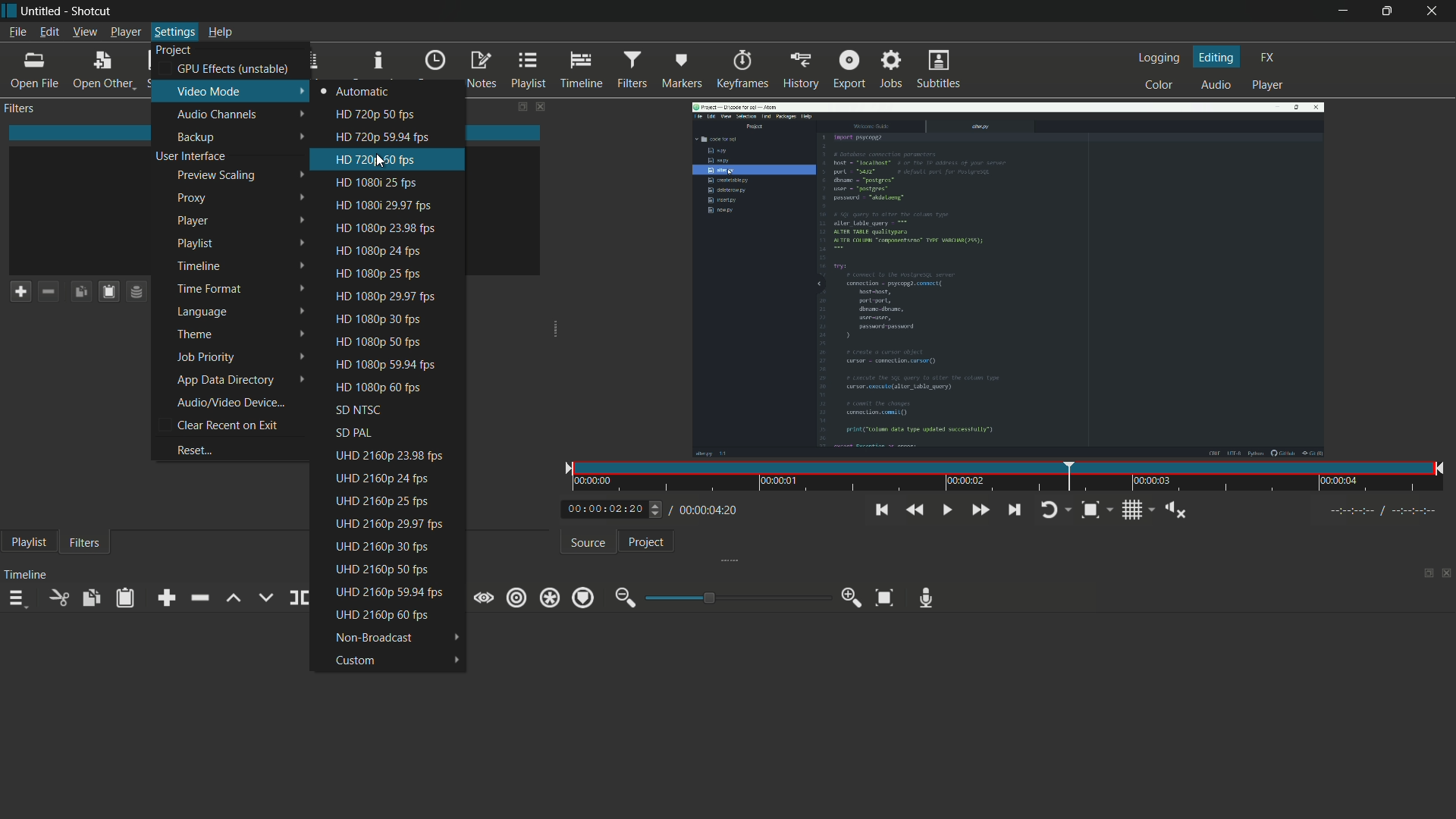  I want to click on remove a filter, so click(49, 290).